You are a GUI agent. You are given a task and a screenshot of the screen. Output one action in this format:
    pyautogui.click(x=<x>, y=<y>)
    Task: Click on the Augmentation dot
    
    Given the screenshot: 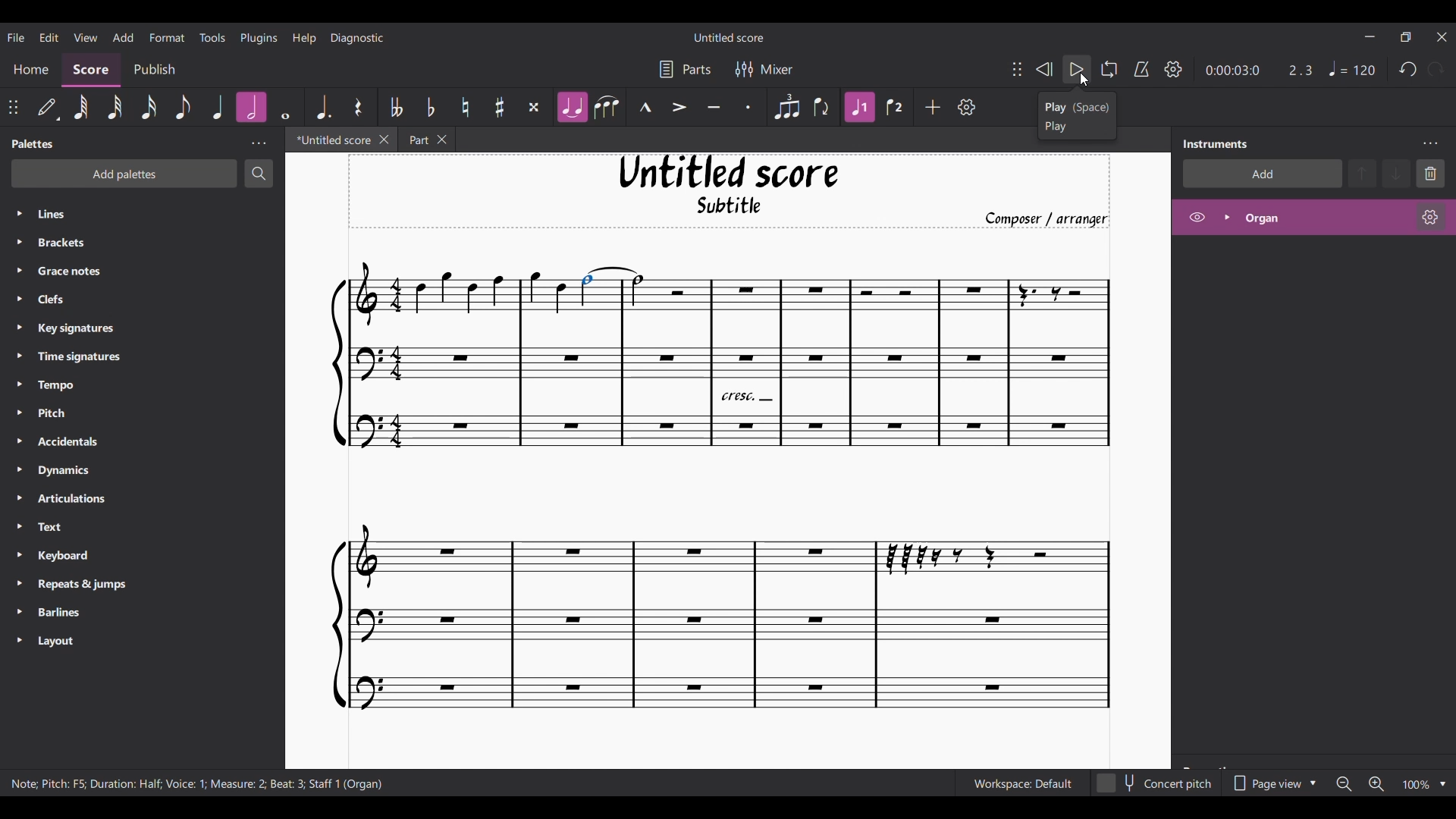 What is the action you would take?
    pyautogui.click(x=322, y=106)
    